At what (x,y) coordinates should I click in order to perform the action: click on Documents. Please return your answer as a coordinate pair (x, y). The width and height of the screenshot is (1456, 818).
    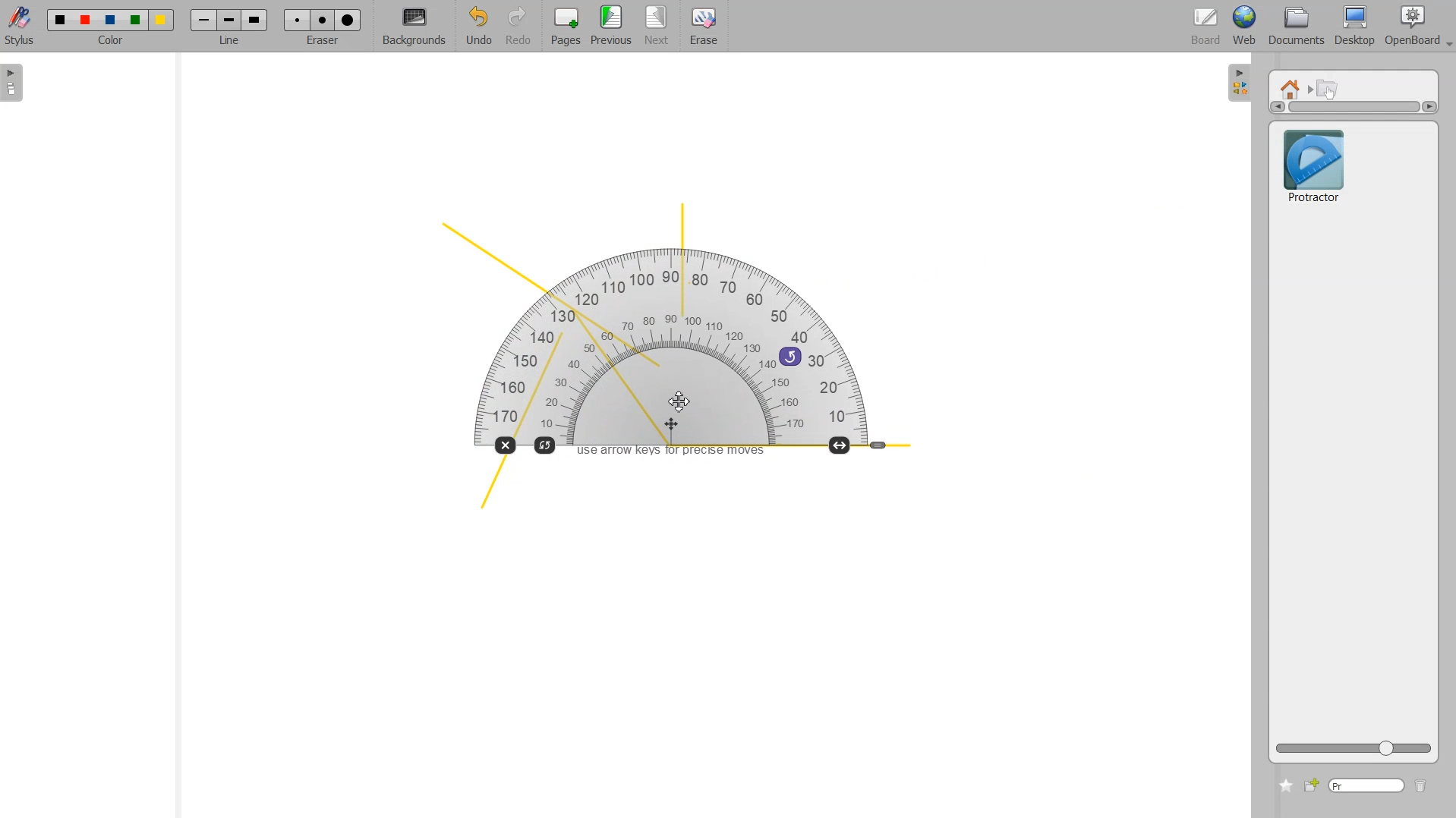
    Looking at the image, I should click on (1294, 27).